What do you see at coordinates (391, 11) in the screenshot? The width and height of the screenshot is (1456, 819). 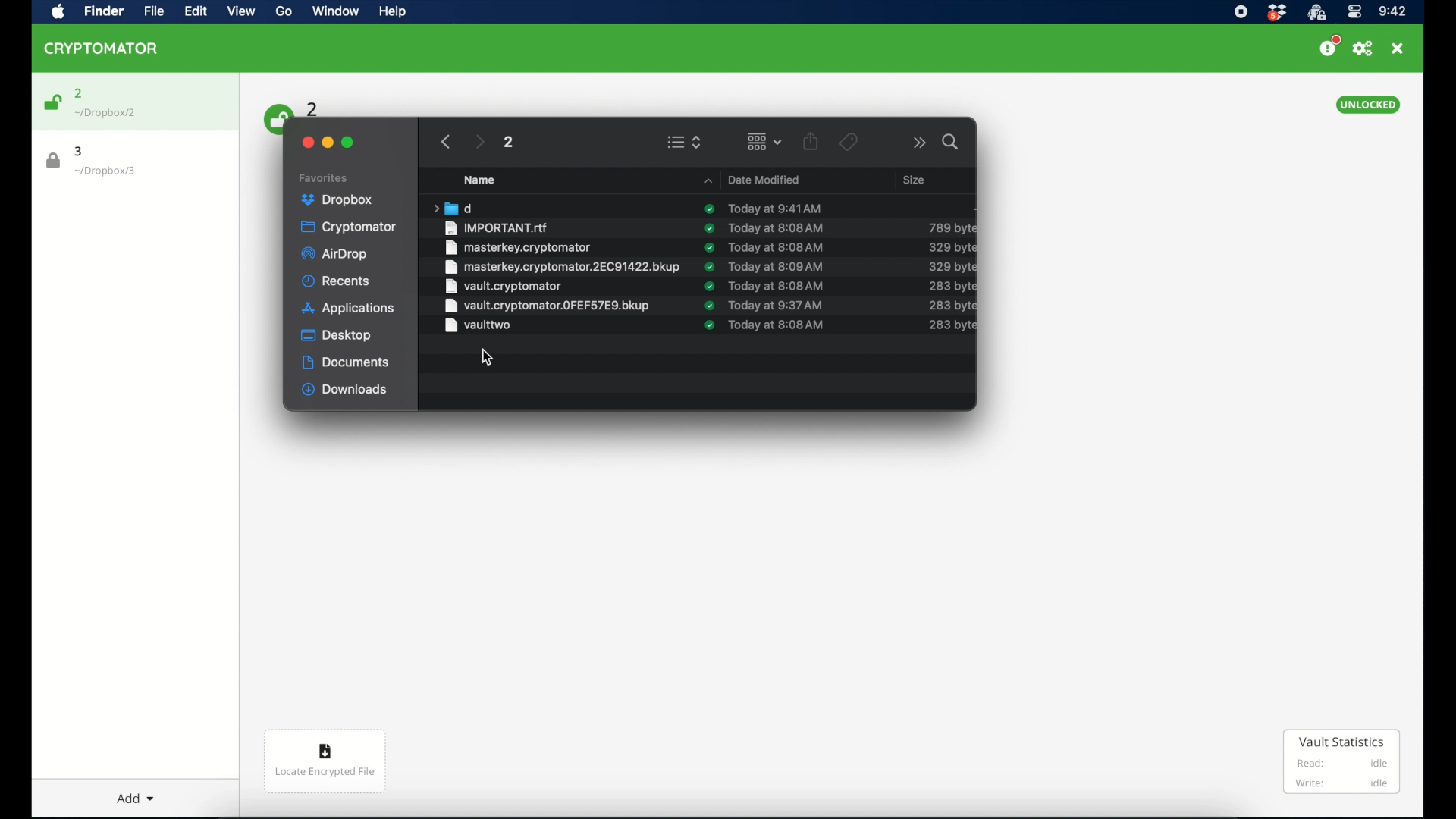 I see `help` at bounding box center [391, 11].